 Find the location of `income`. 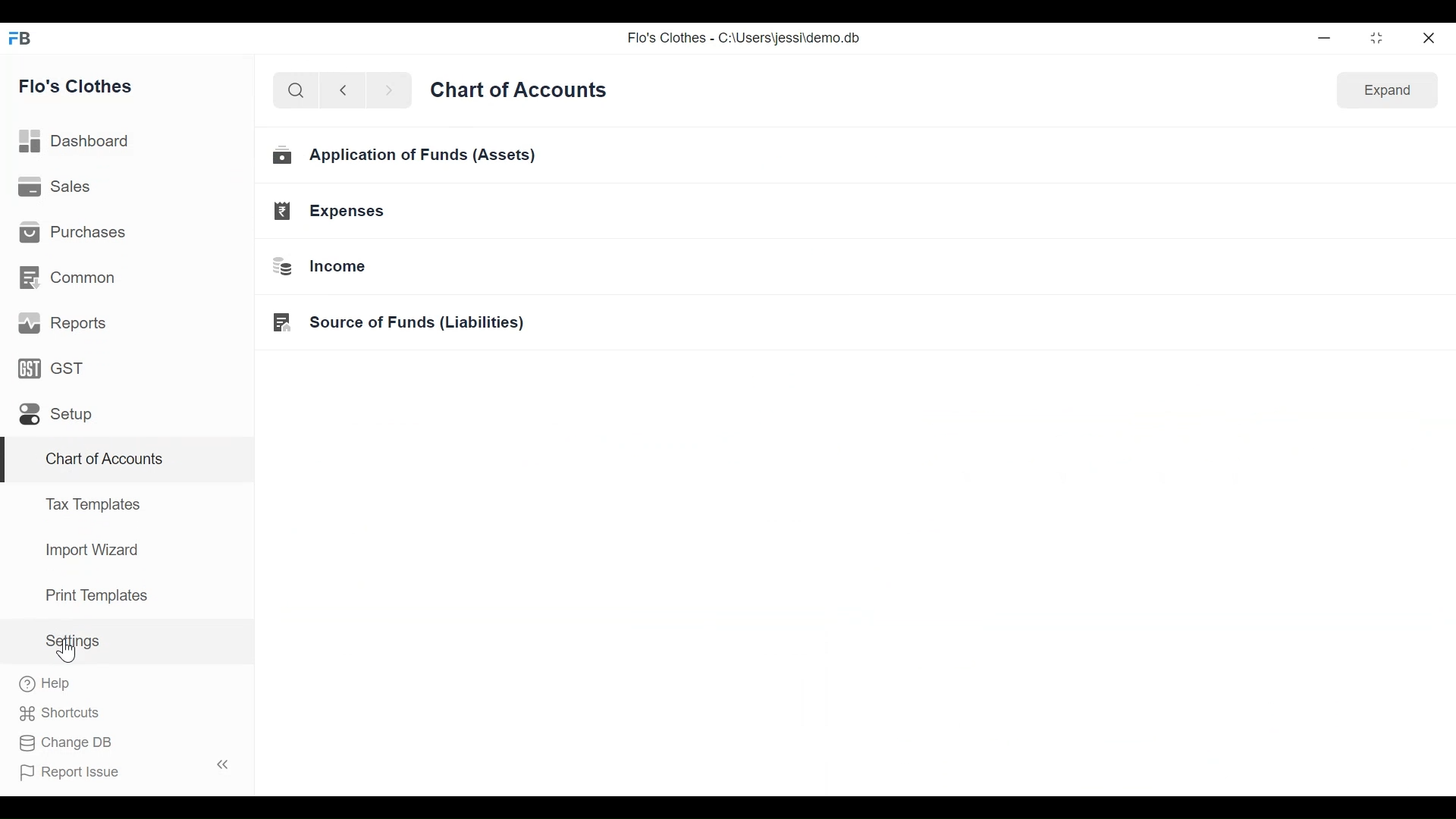

income is located at coordinates (320, 268).